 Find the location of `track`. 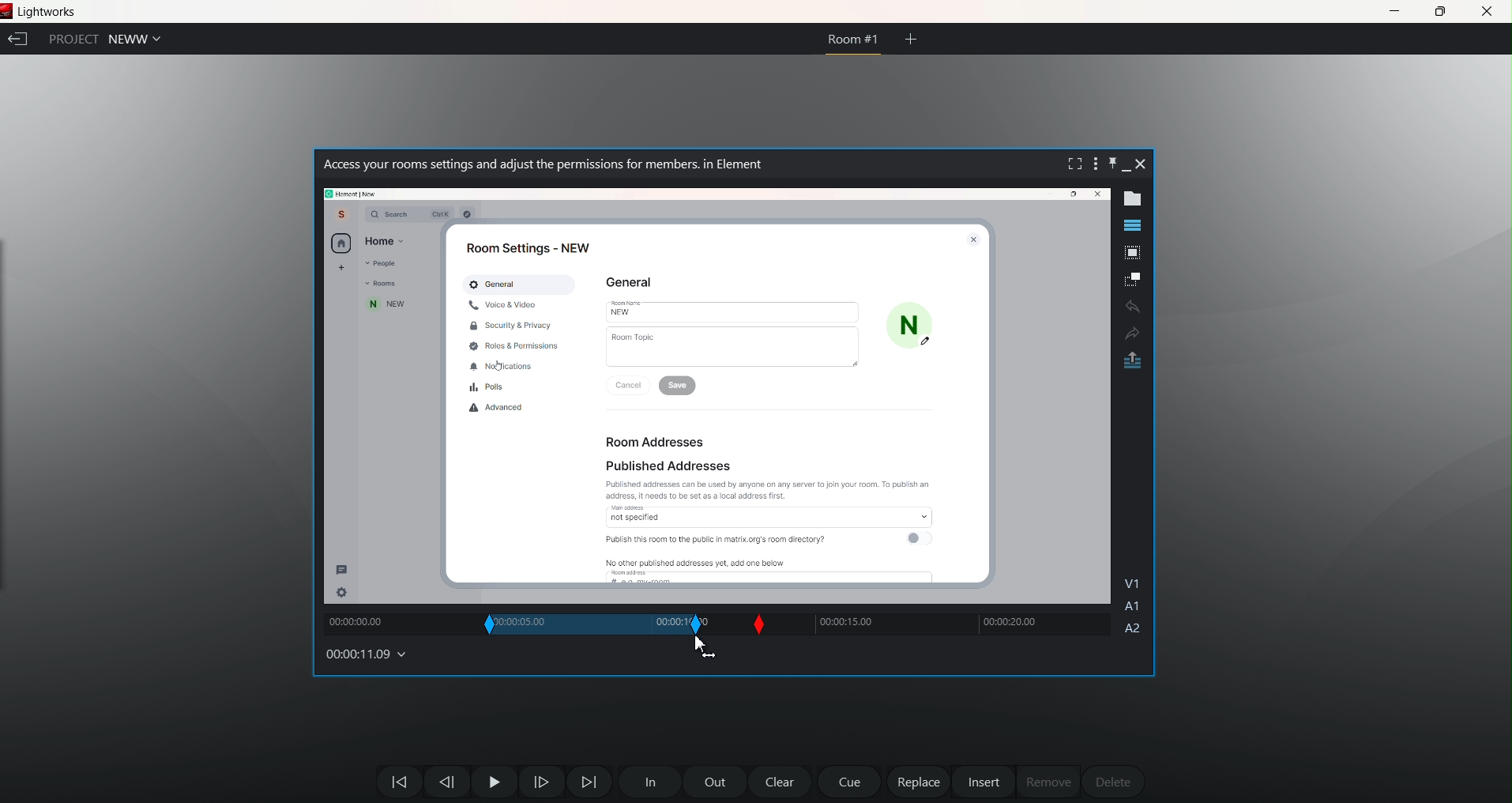

track is located at coordinates (396, 624).